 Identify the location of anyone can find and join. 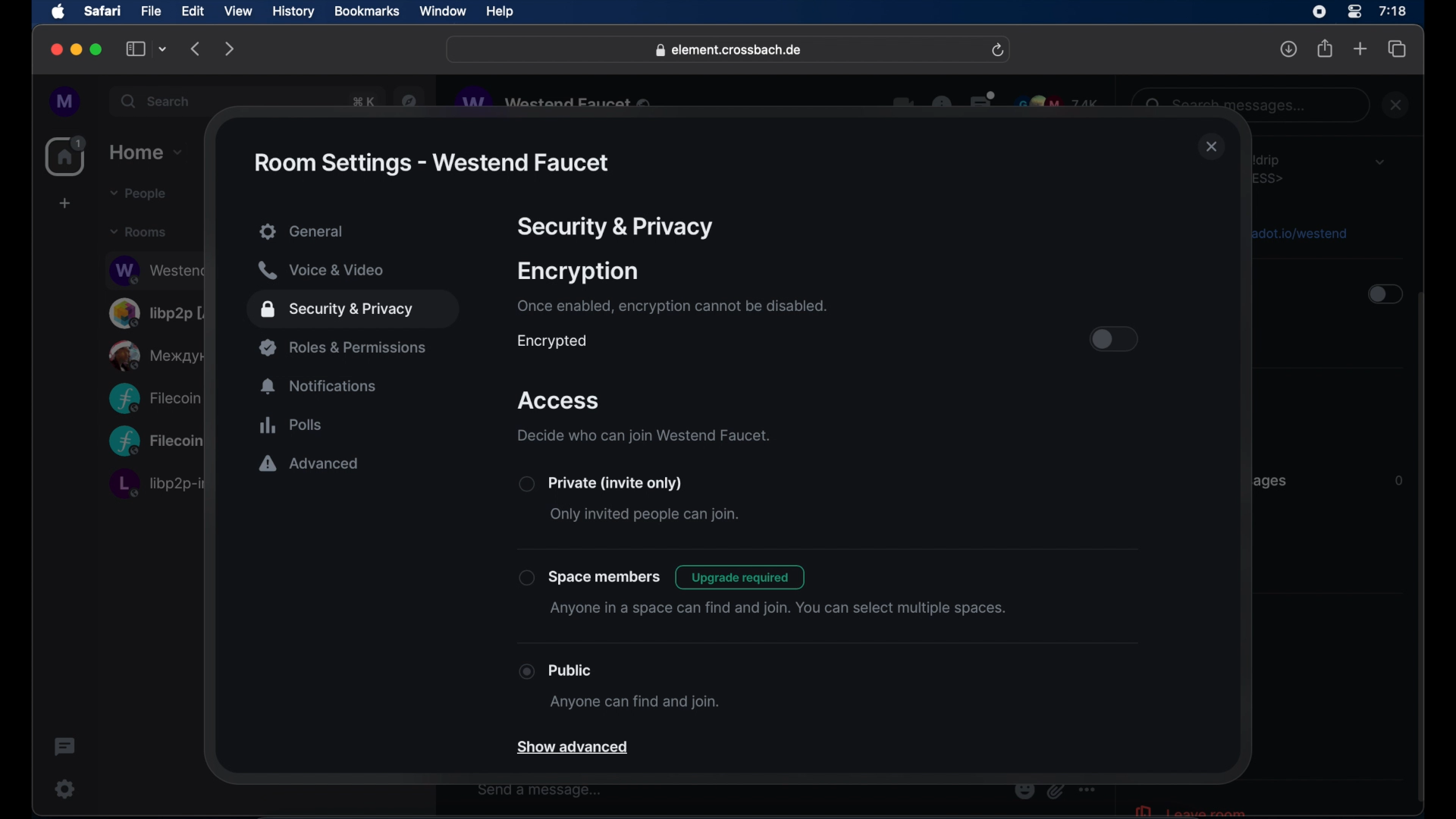
(633, 703).